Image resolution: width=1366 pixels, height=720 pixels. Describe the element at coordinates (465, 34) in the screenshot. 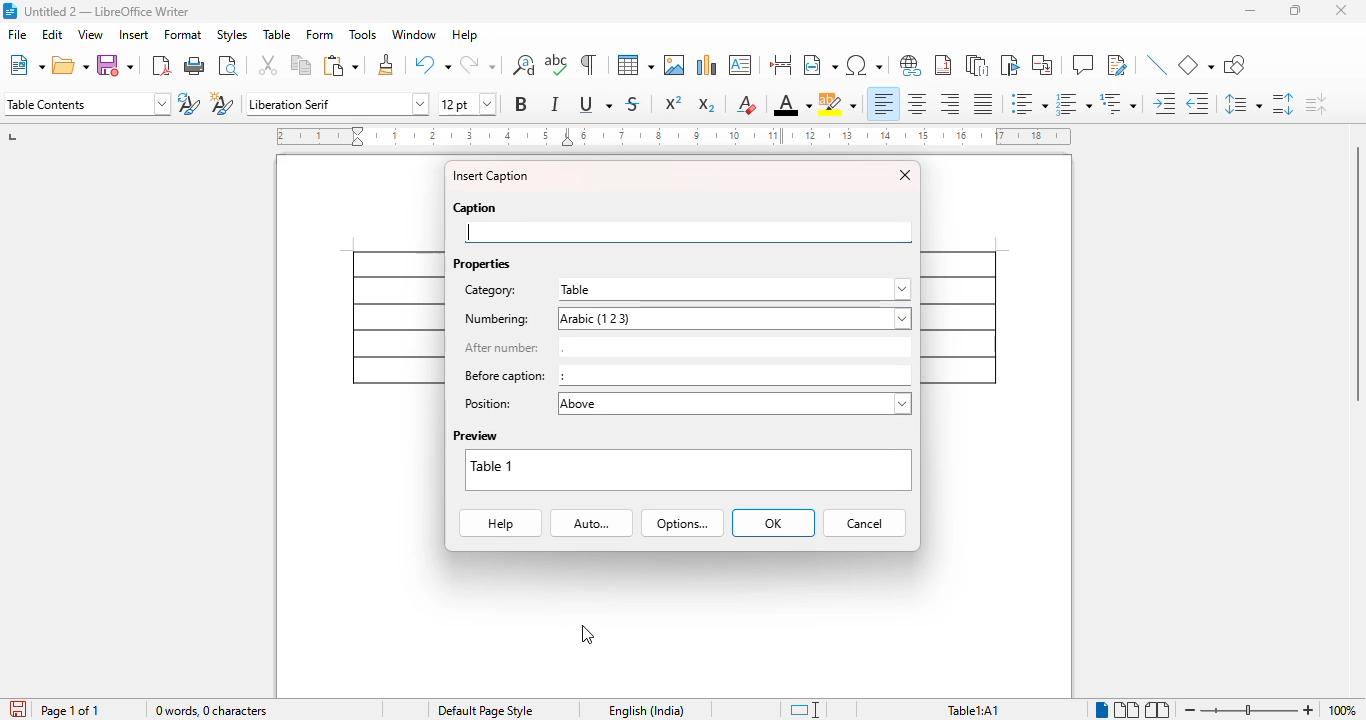

I see `help` at that location.